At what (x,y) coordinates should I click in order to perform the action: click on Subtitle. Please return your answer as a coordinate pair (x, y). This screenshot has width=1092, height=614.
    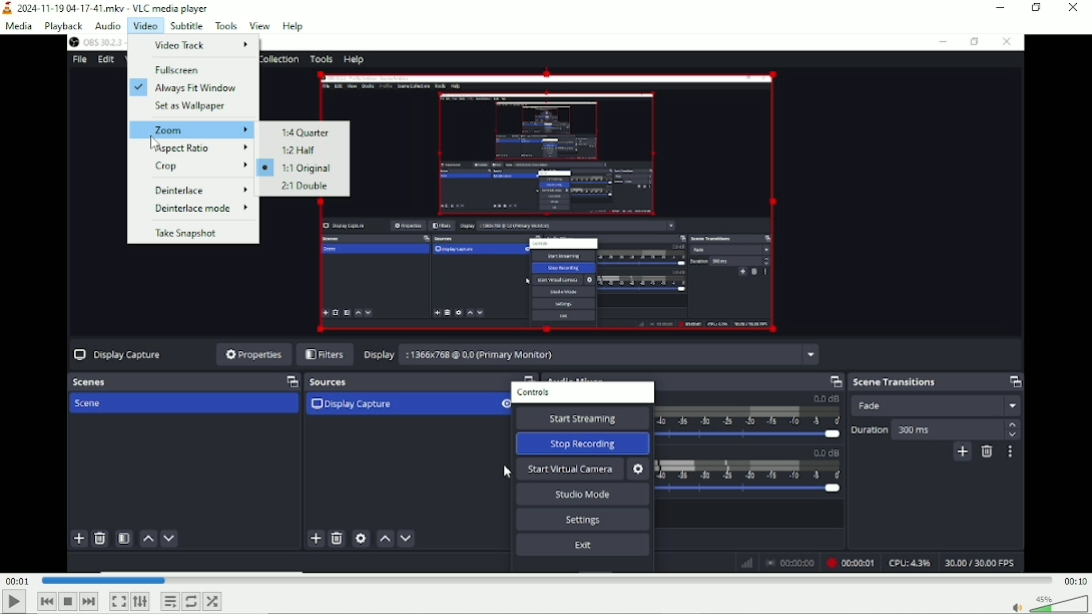
    Looking at the image, I should click on (187, 25).